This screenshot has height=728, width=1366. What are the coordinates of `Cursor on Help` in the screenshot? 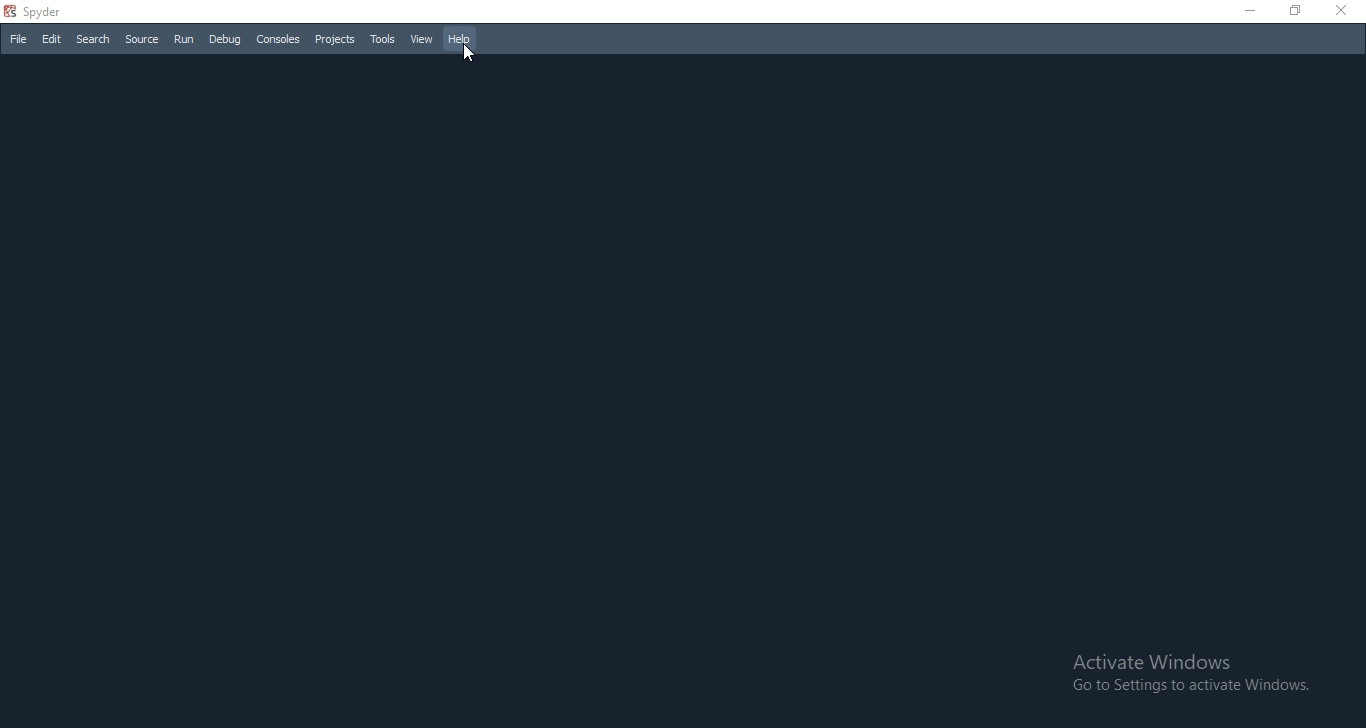 It's located at (467, 55).